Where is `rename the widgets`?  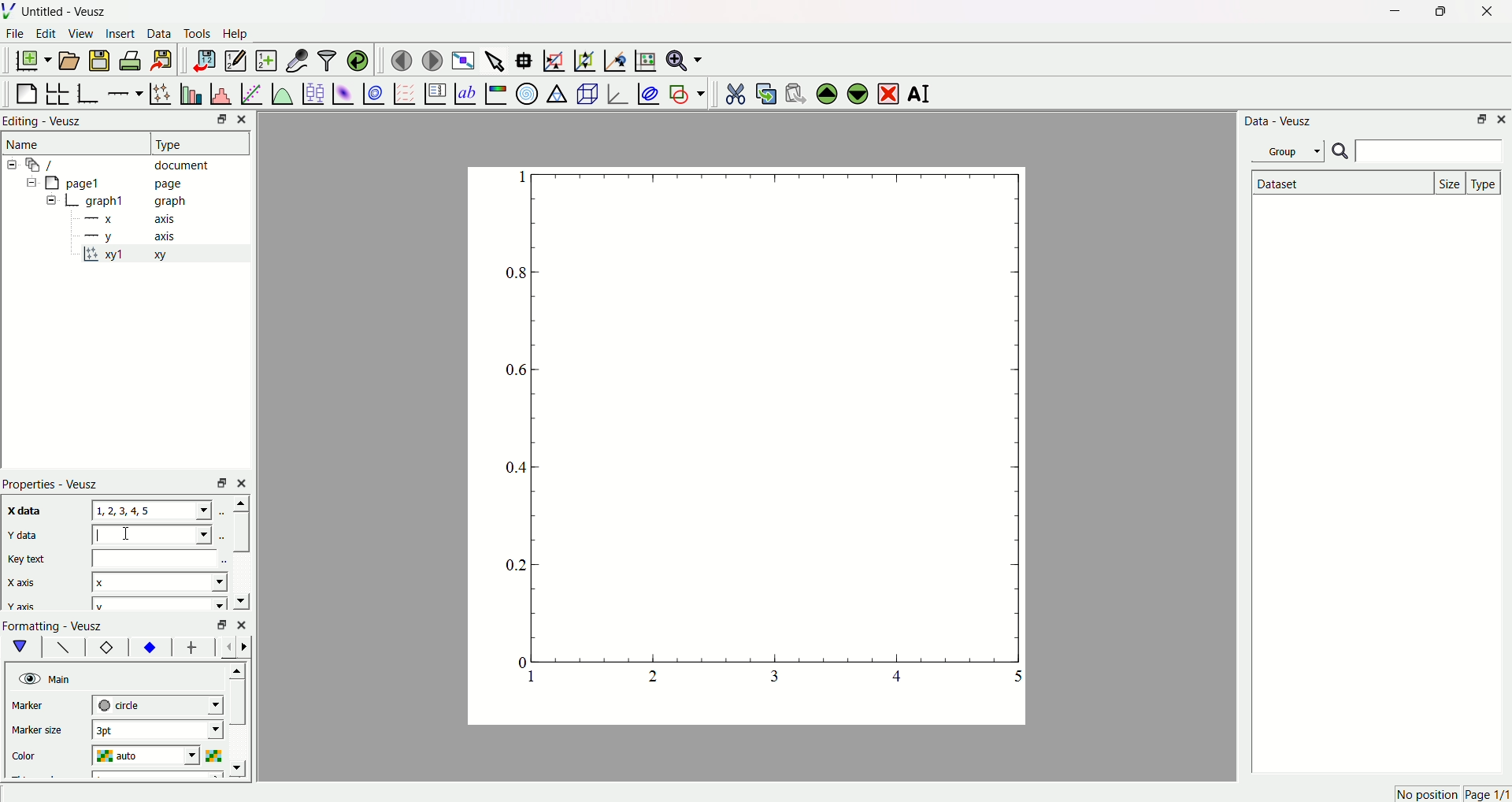 rename the widgets is located at coordinates (921, 95).